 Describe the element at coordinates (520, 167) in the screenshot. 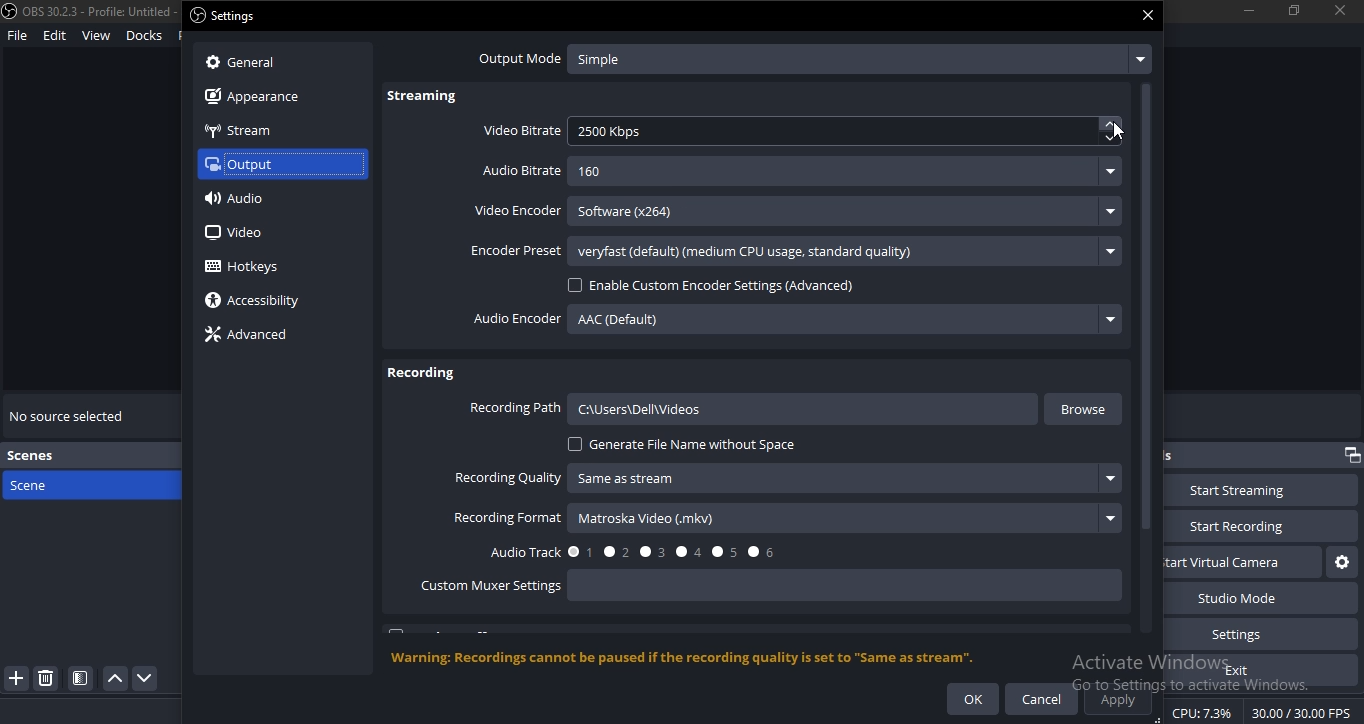

I see `audio bitrate -160` at that location.